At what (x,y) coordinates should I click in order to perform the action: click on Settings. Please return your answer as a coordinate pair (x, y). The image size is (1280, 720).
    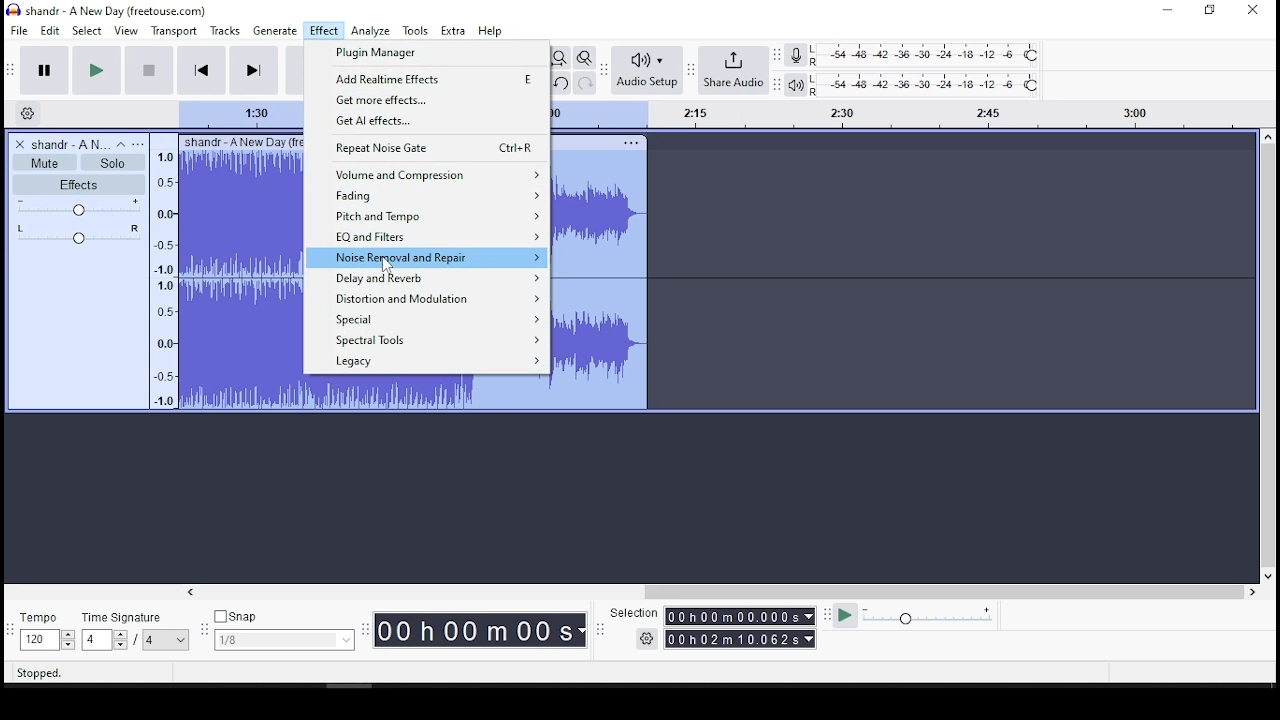
    Looking at the image, I should click on (25, 114).